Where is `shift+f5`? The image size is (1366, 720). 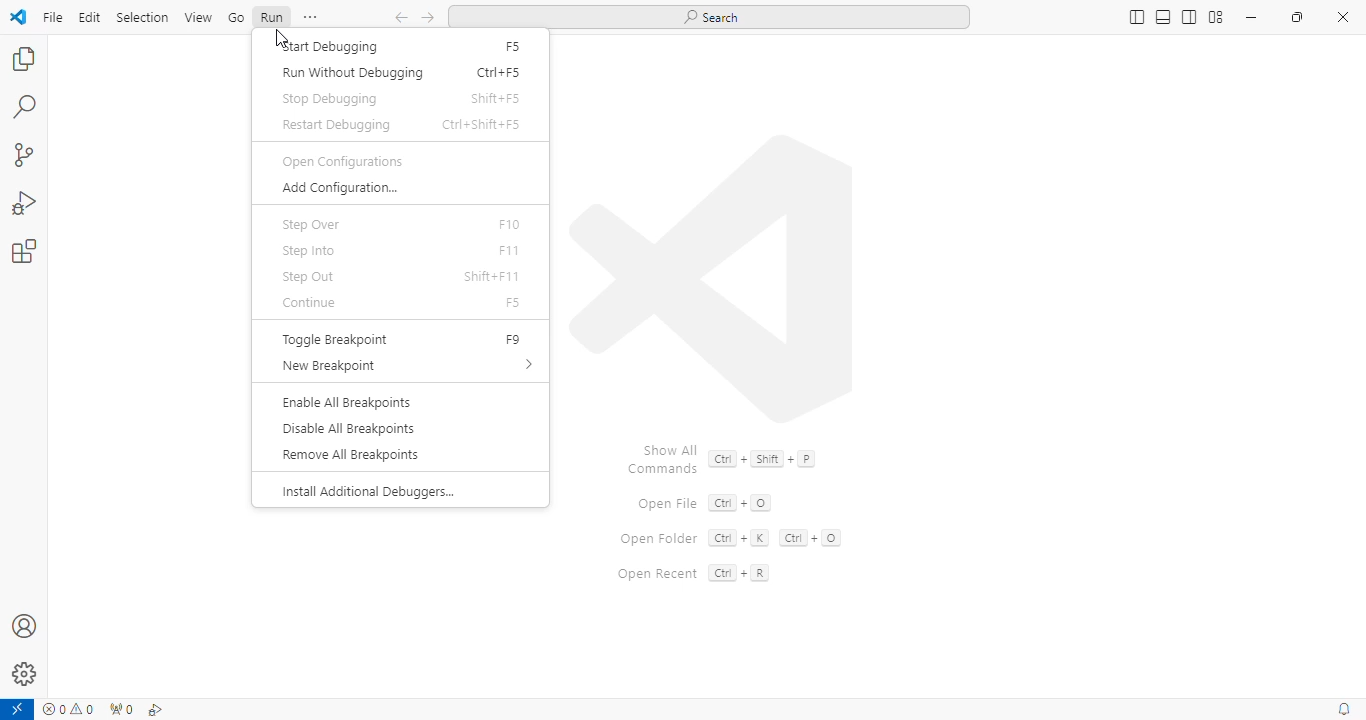
shift+f5 is located at coordinates (495, 99).